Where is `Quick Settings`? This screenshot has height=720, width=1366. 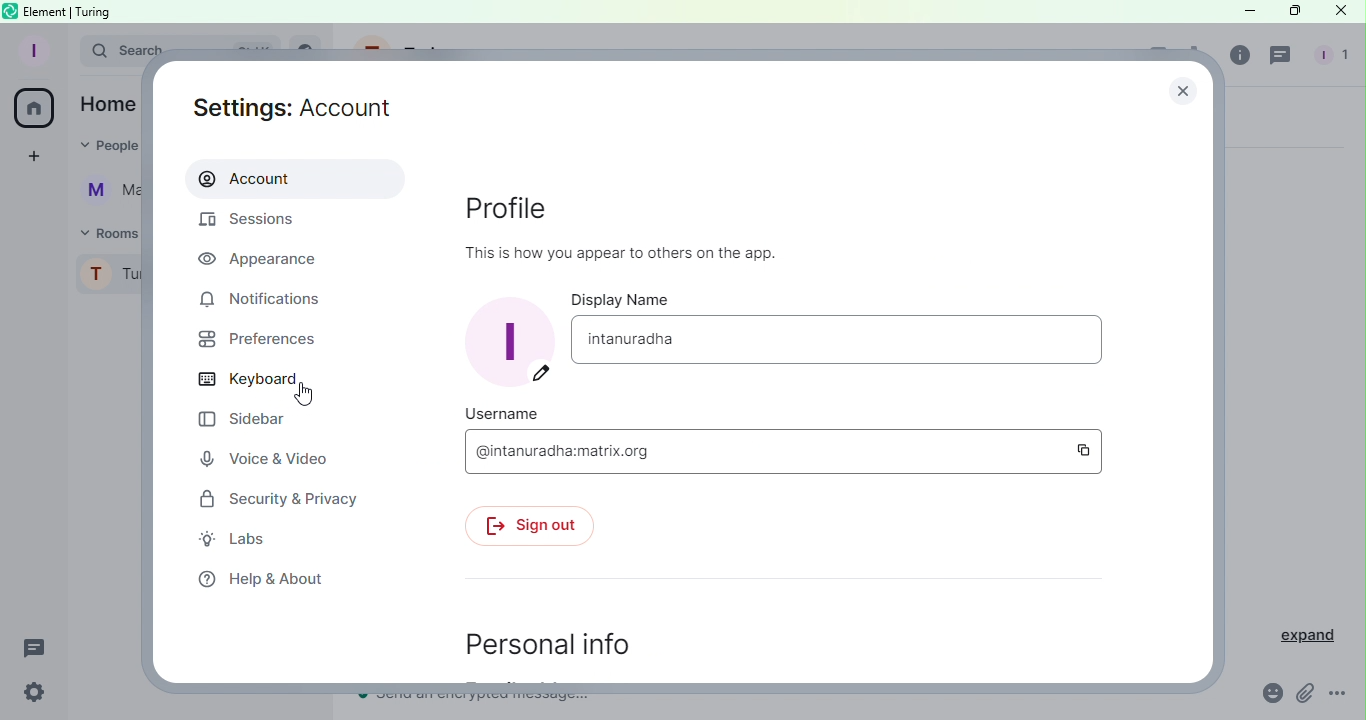
Quick Settings is located at coordinates (34, 694).